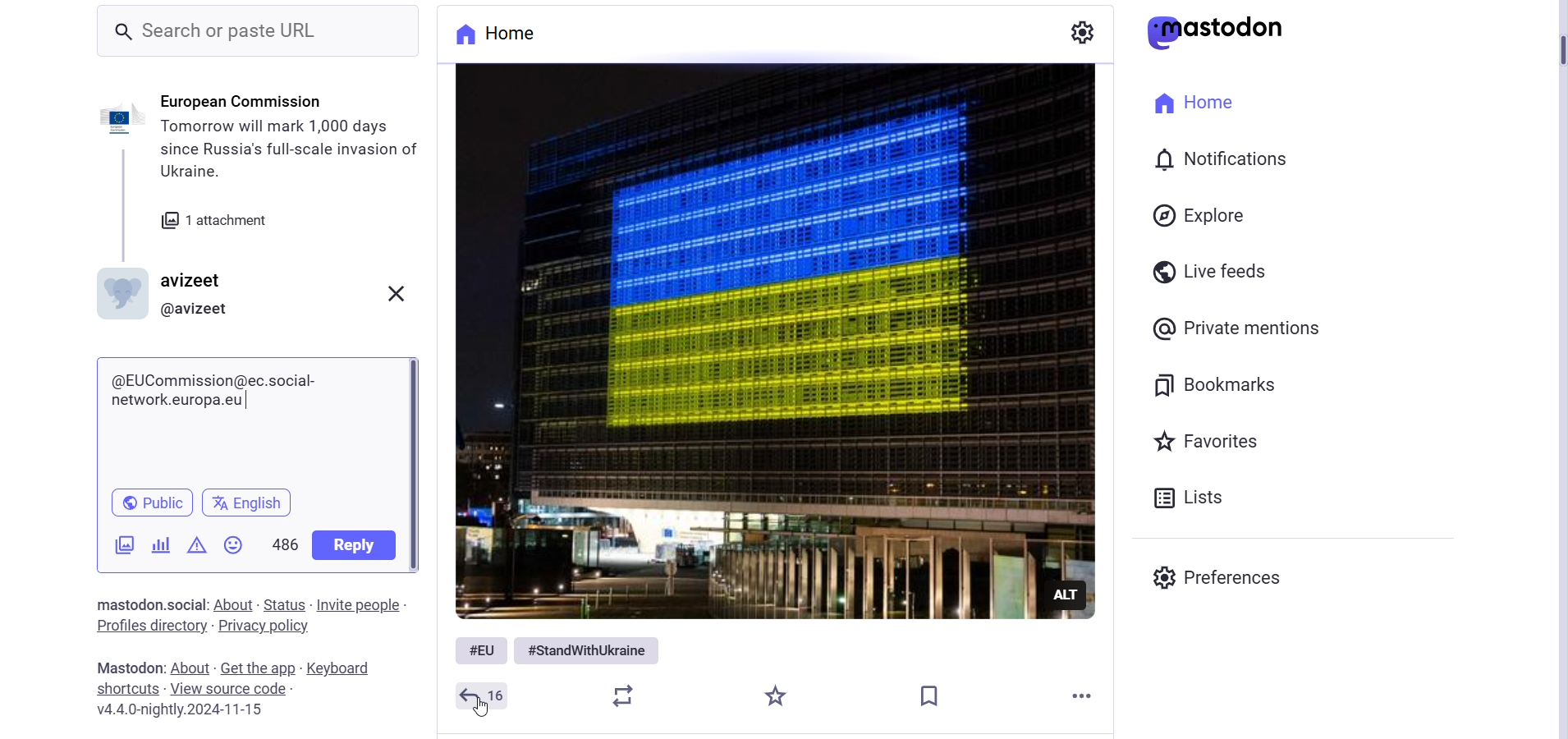  I want to click on Starred, so click(777, 698).